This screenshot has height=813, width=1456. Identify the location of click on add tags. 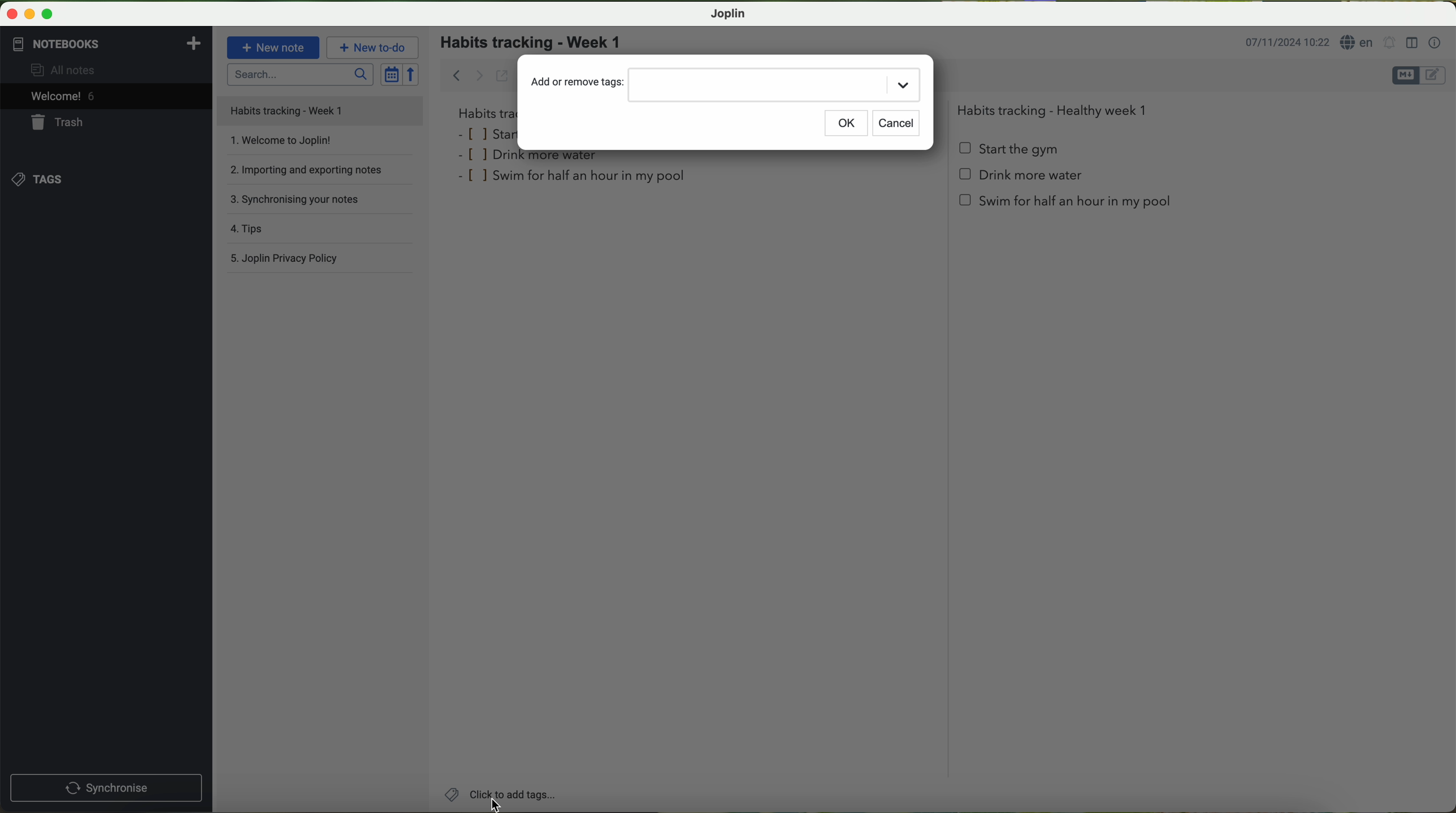
(505, 797).